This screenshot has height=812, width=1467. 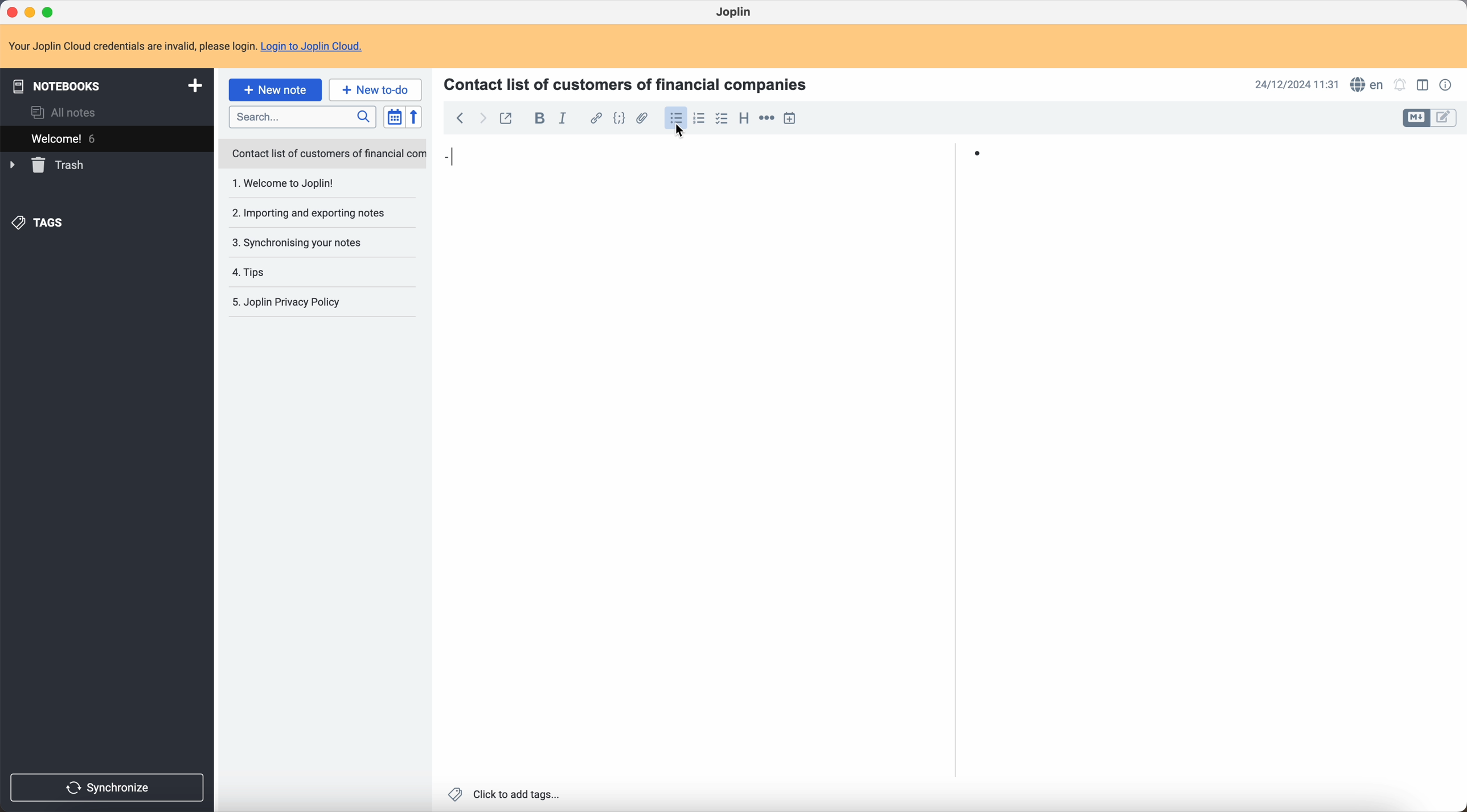 What do you see at coordinates (305, 117) in the screenshot?
I see `search bar` at bounding box center [305, 117].